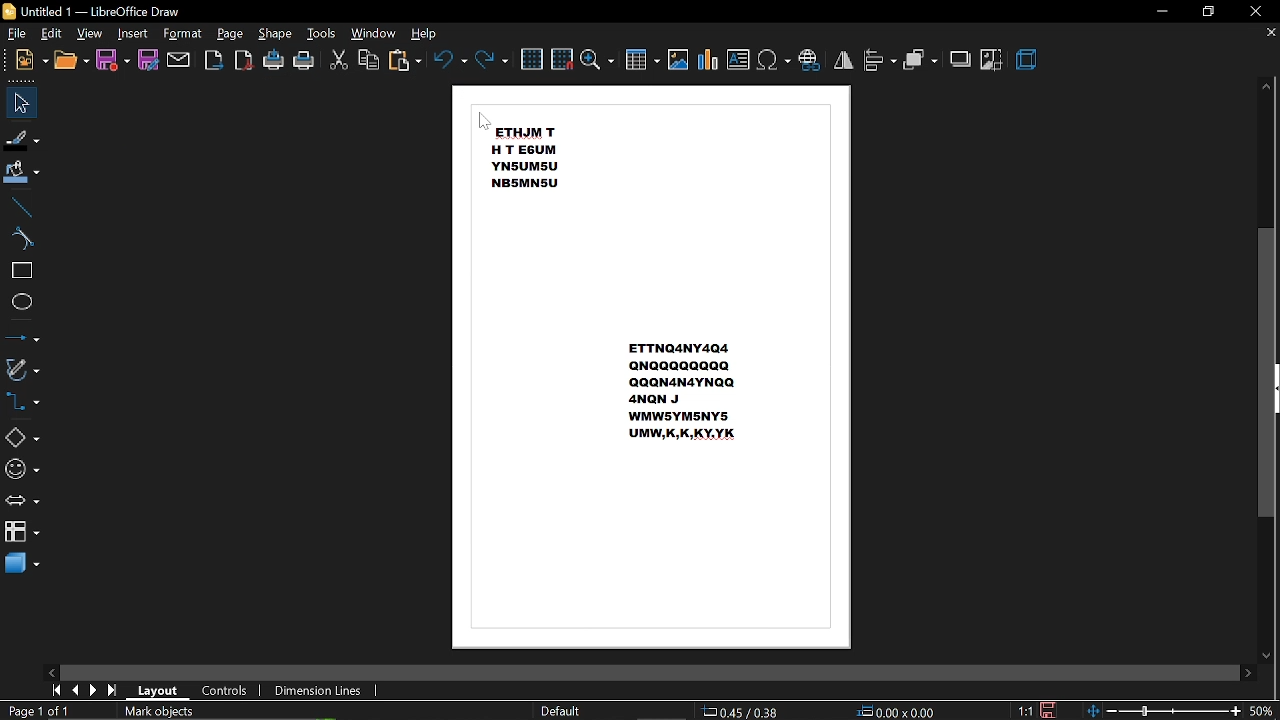  What do you see at coordinates (77, 690) in the screenshot?
I see `previous page` at bounding box center [77, 690].